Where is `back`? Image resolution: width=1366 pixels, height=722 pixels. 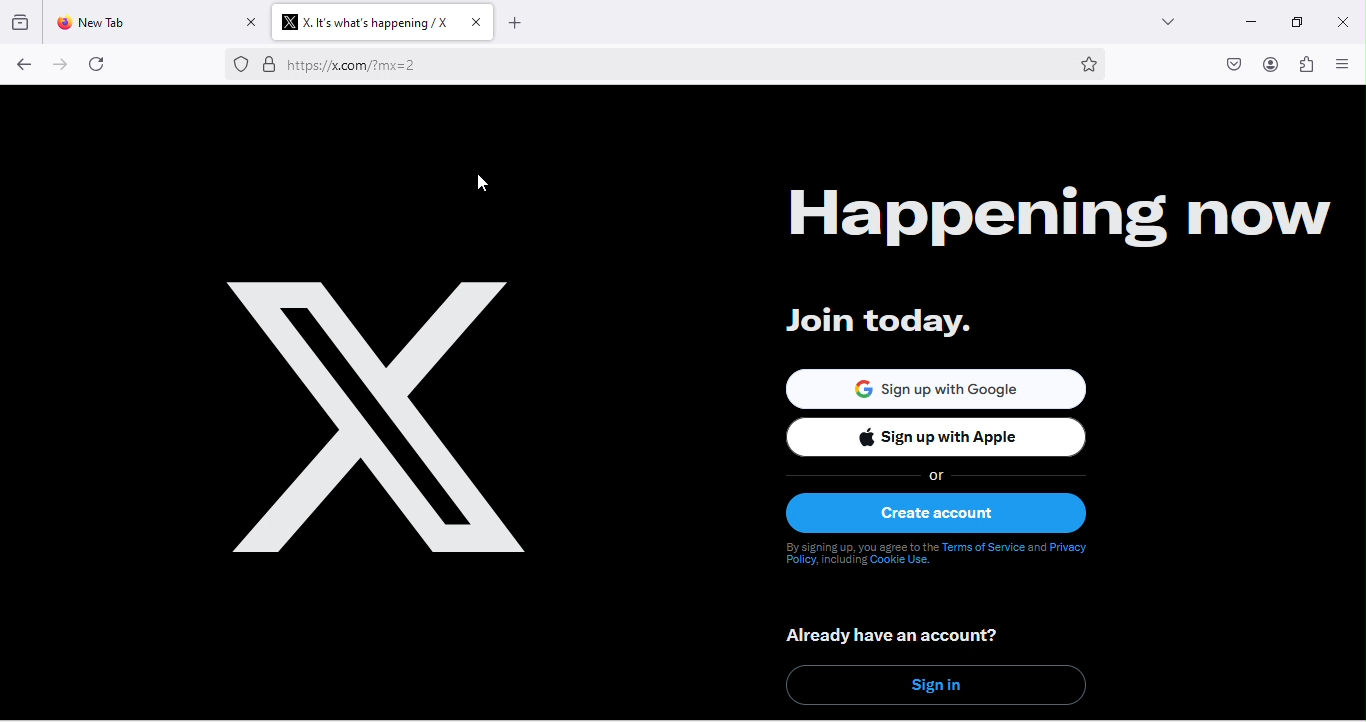 back is located at coordinates (23, 65).